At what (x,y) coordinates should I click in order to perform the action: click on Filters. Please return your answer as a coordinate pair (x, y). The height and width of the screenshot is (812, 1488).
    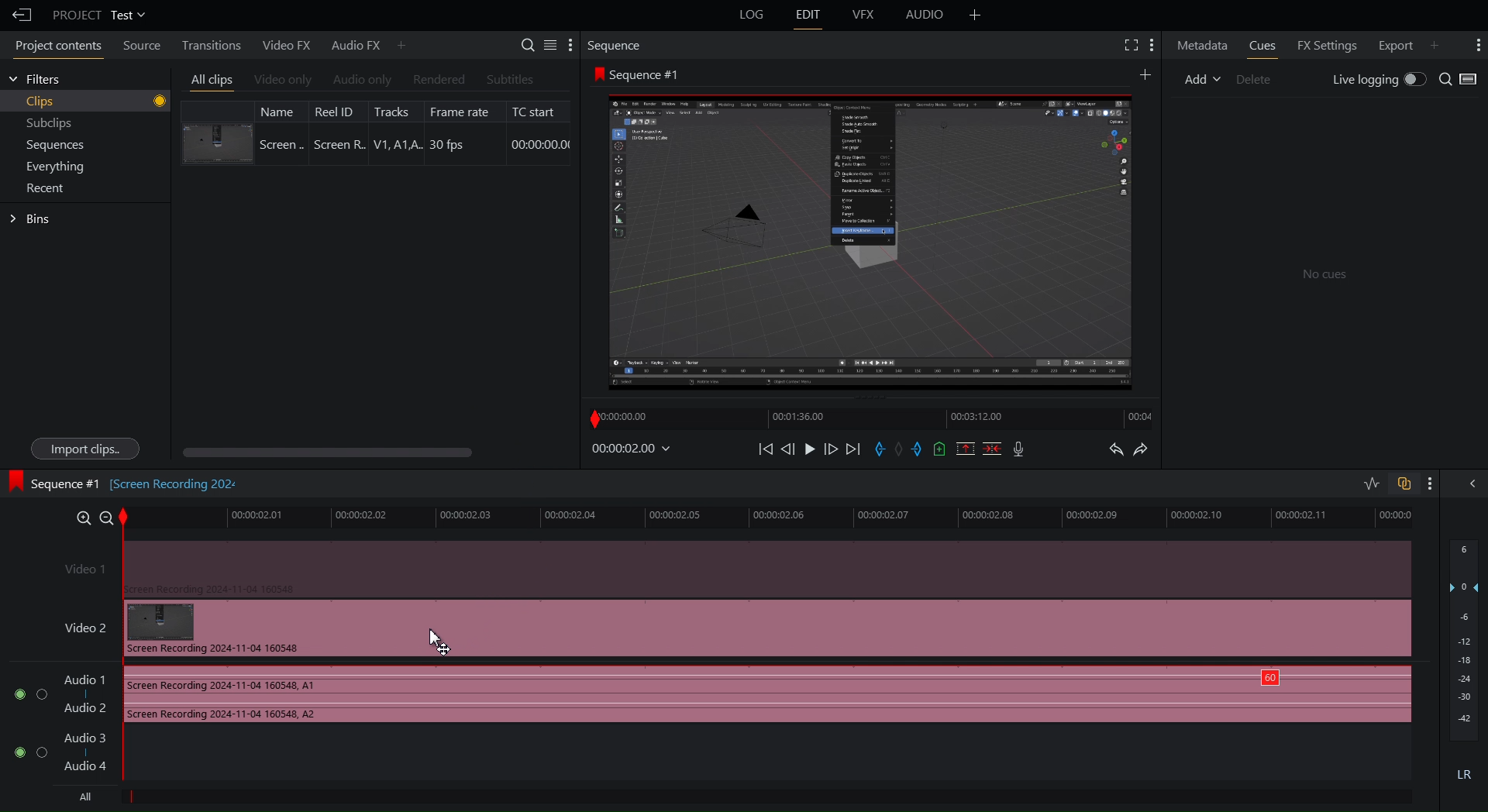
    Looking at the image, I should click on (35, 79).